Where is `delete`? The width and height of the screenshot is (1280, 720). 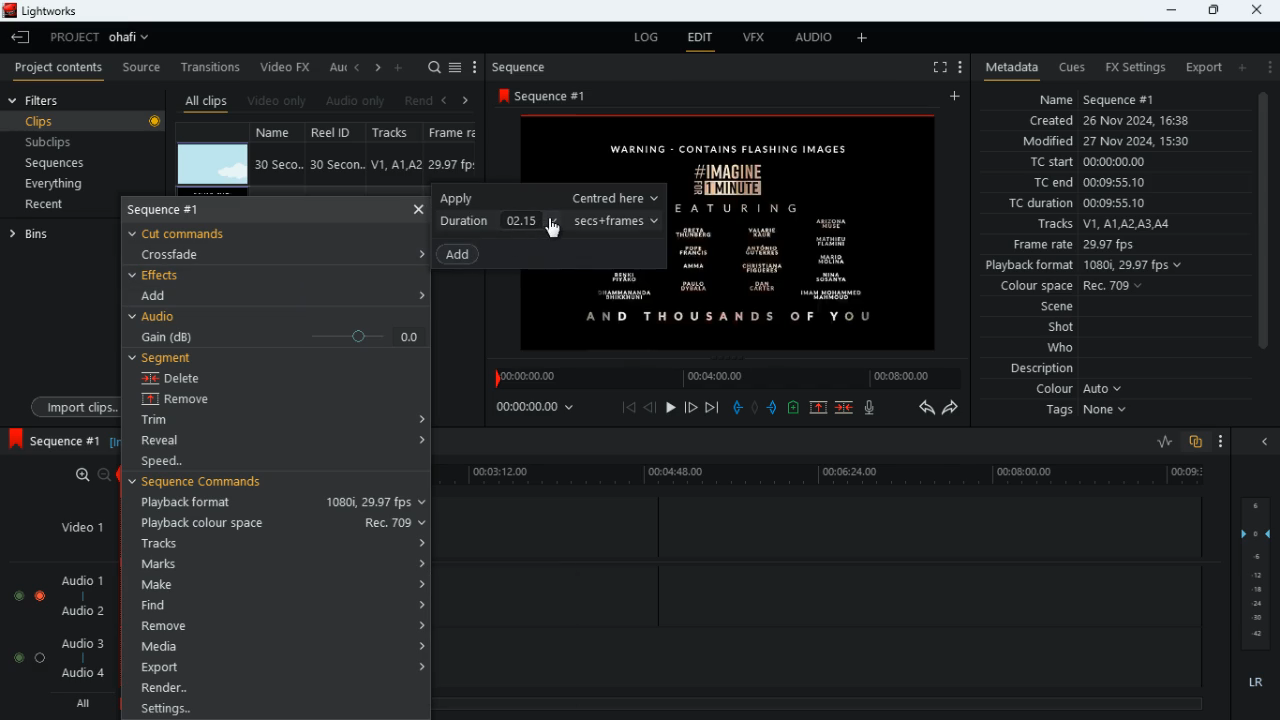 delete is located at coordinates (188, 378).